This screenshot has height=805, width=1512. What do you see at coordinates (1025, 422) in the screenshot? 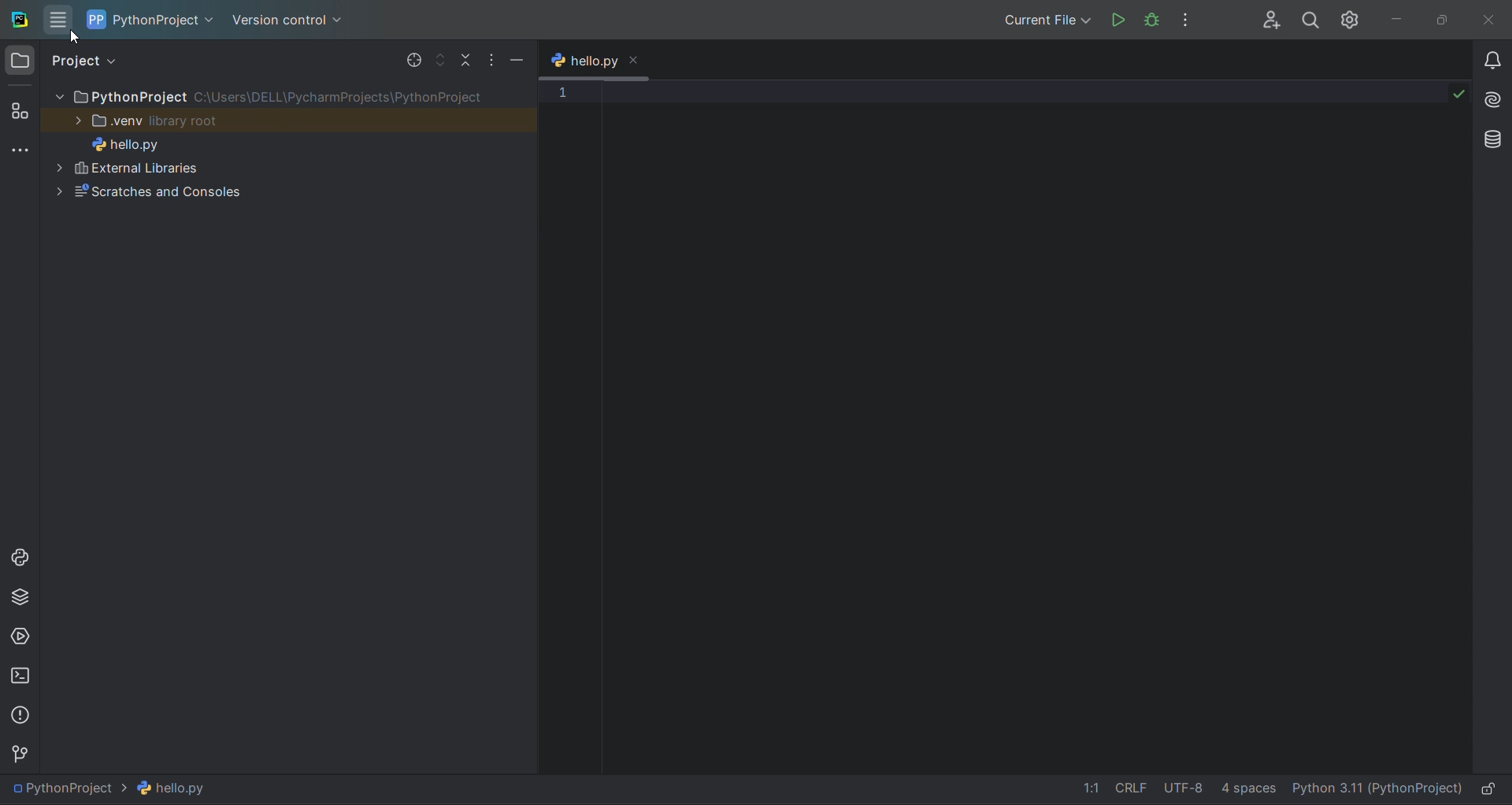
I see `text editor` at bounding box center [1025, 422].